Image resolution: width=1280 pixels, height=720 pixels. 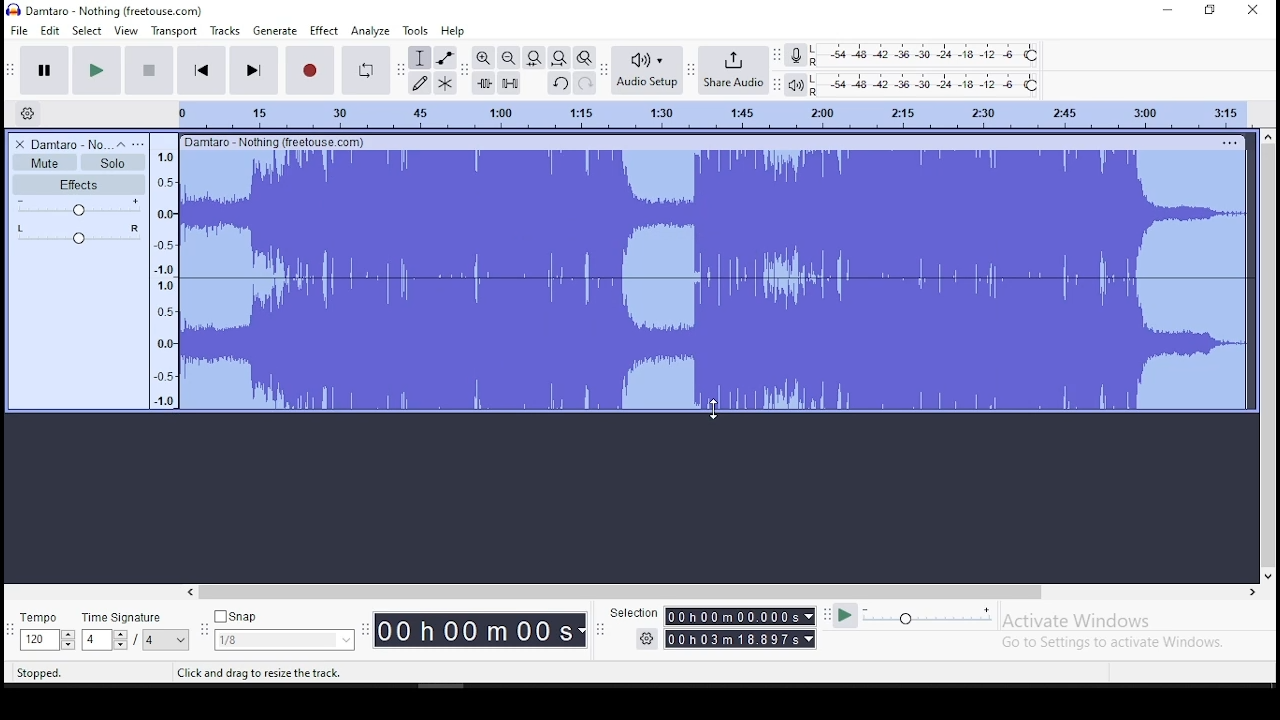 I want to click on delete track, so click(x=20, y=143).